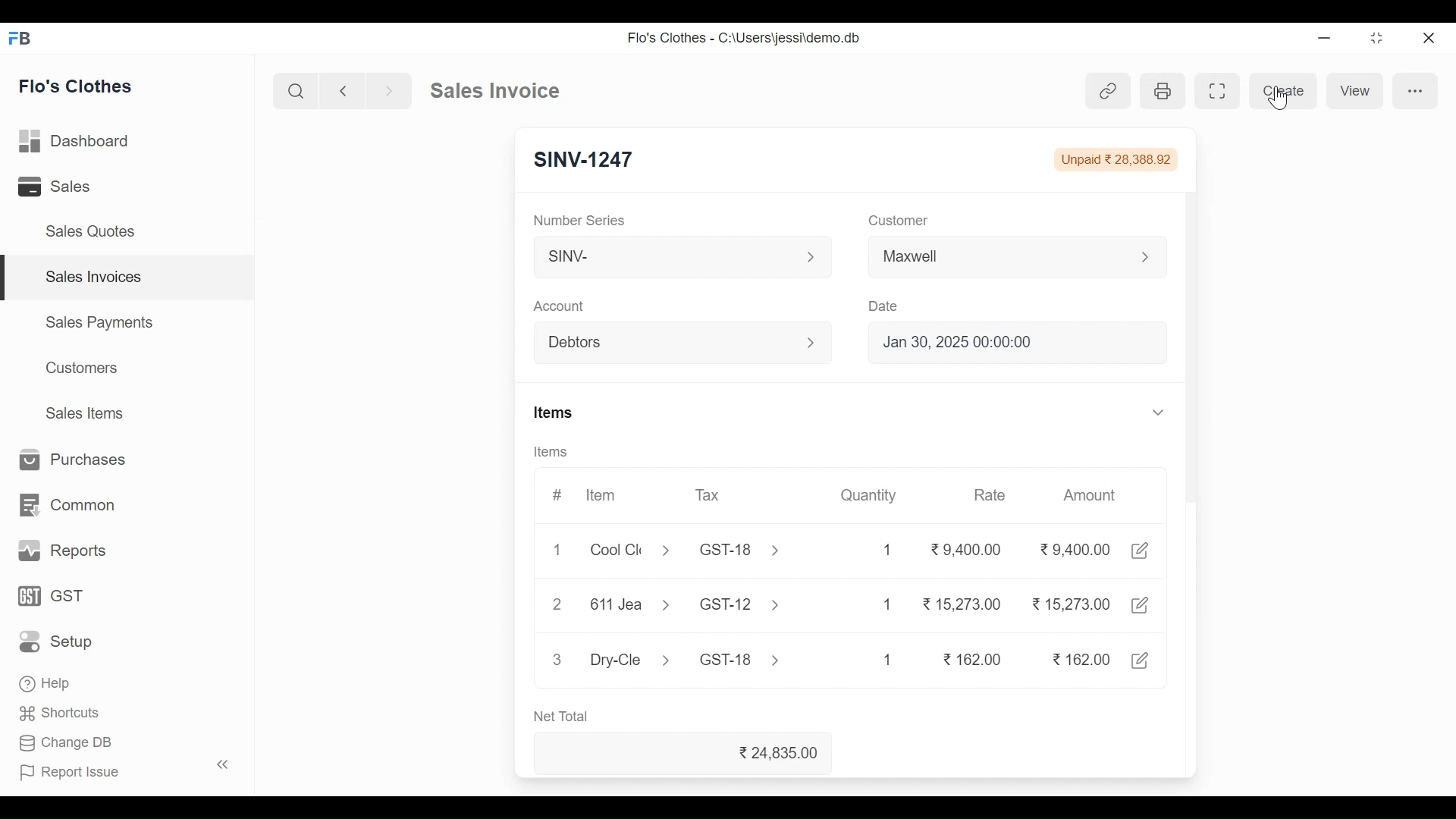 The width and height of the screenshot is (1456, 819). I want to click on Unpaid 28,388.92, so click(1116, 160).